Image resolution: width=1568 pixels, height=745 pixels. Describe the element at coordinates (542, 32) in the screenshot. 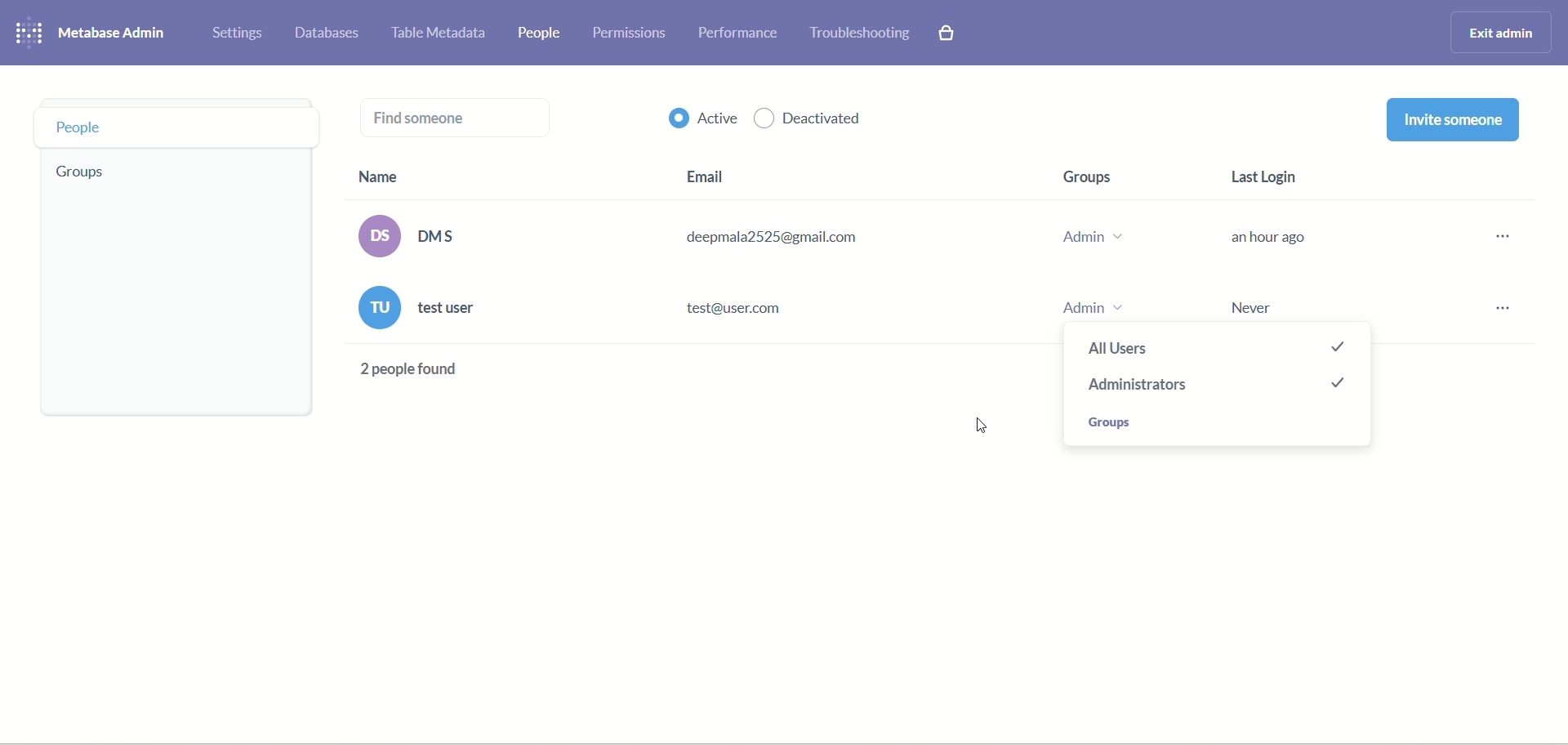

I see `people` at that location.